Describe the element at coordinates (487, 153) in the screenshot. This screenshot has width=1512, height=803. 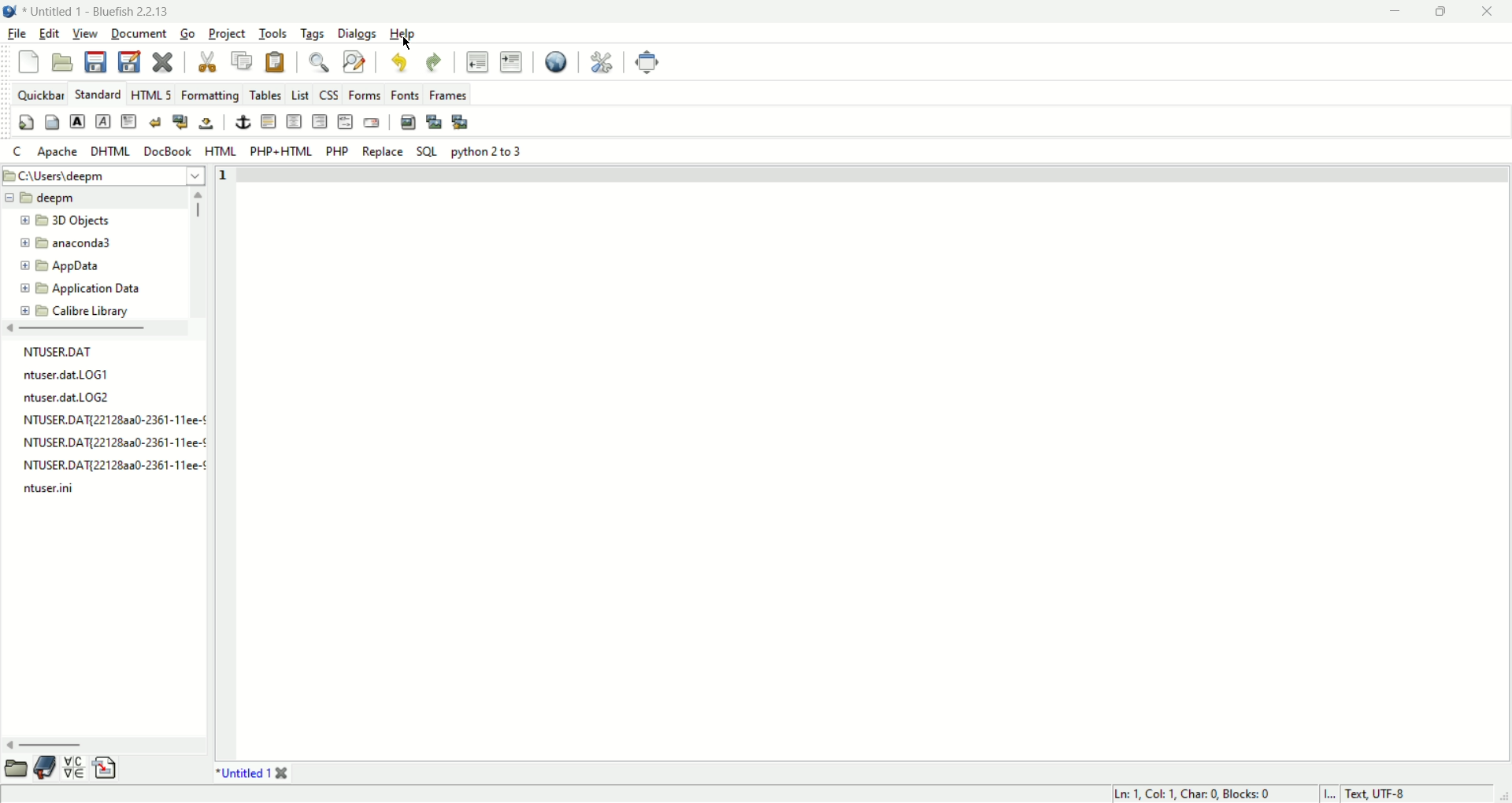
I see `python 2 to 3` at that location.